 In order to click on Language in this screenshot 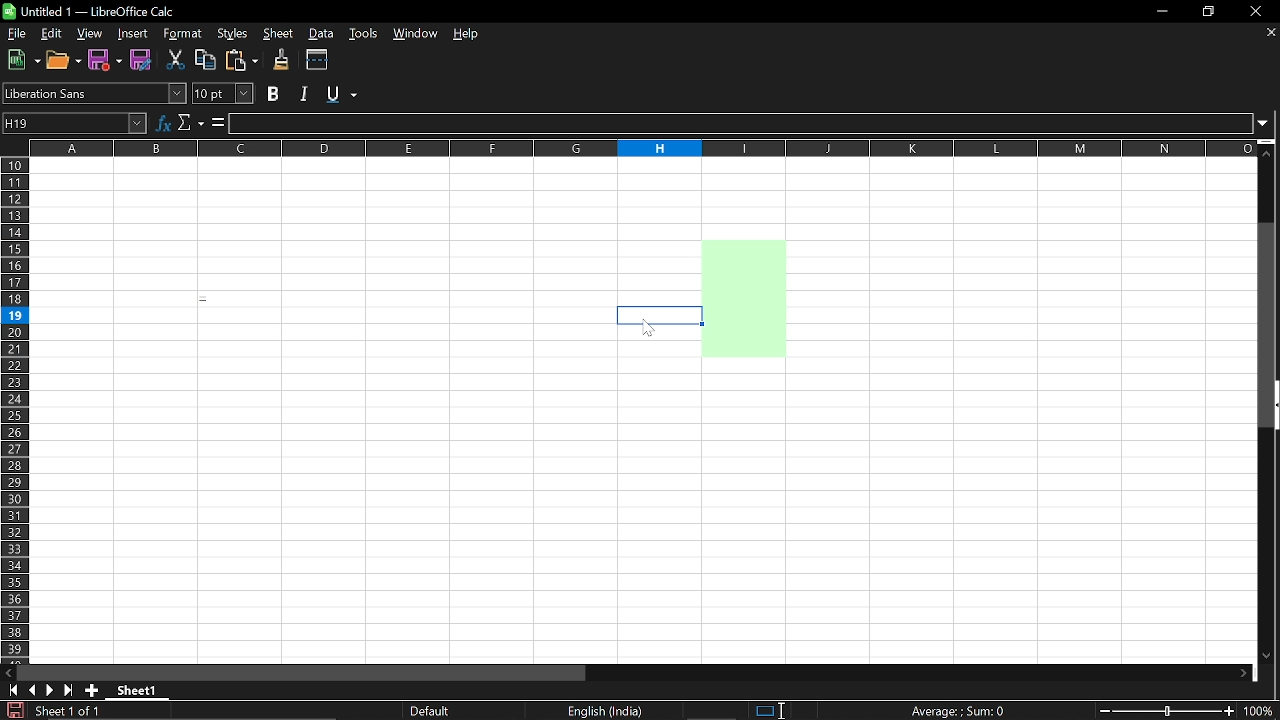, I will do `click(610, 711)`.